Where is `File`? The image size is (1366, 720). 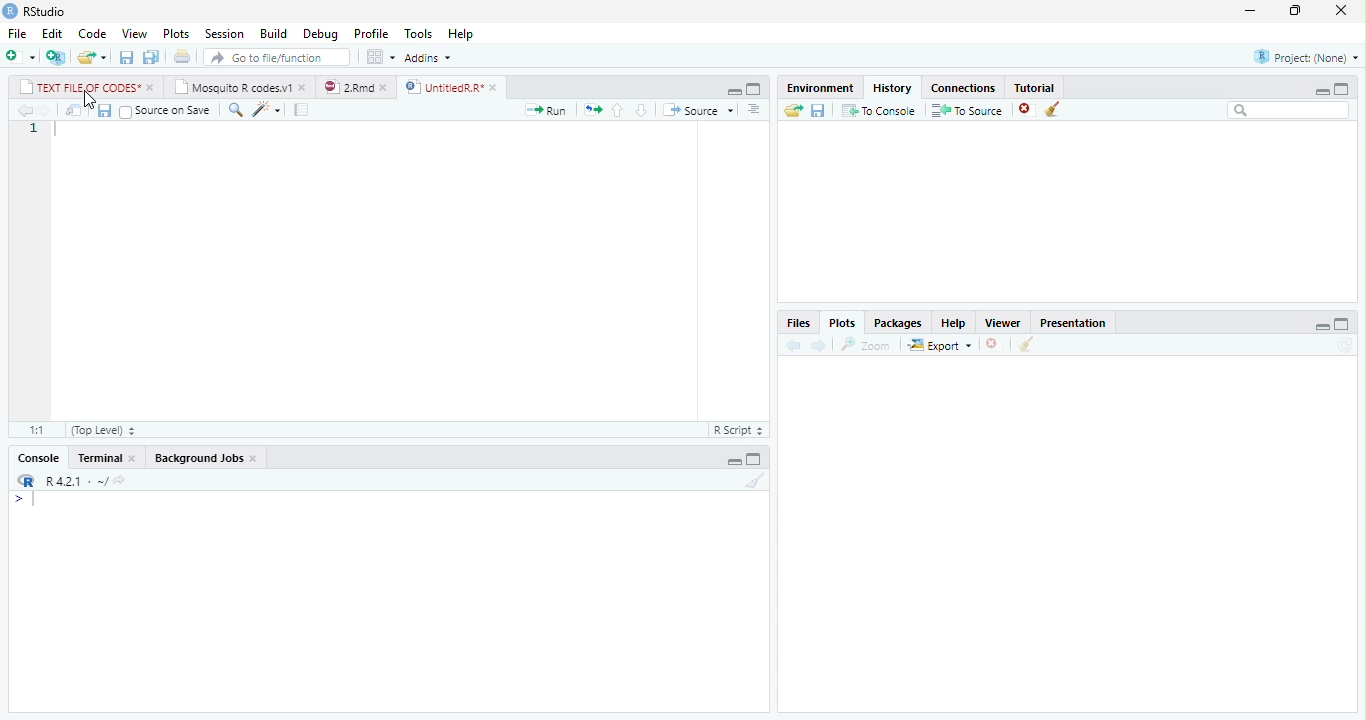 File is located at coordinates (17, 33).